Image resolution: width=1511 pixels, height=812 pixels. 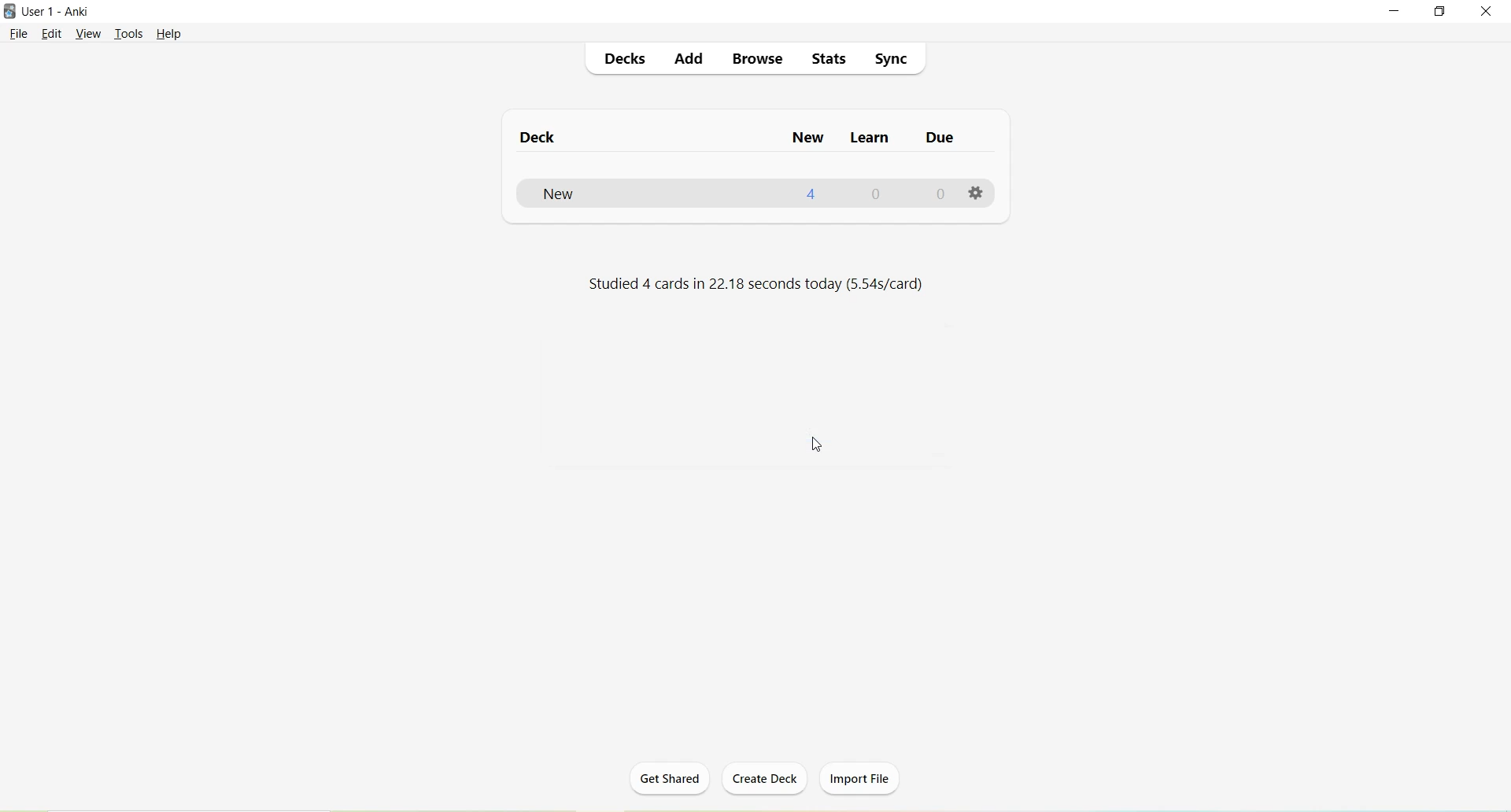 What do you see at coordinates (57, 11) in the screenshot?
I see `User 1 - Anki` at bounding box center [57, 11].